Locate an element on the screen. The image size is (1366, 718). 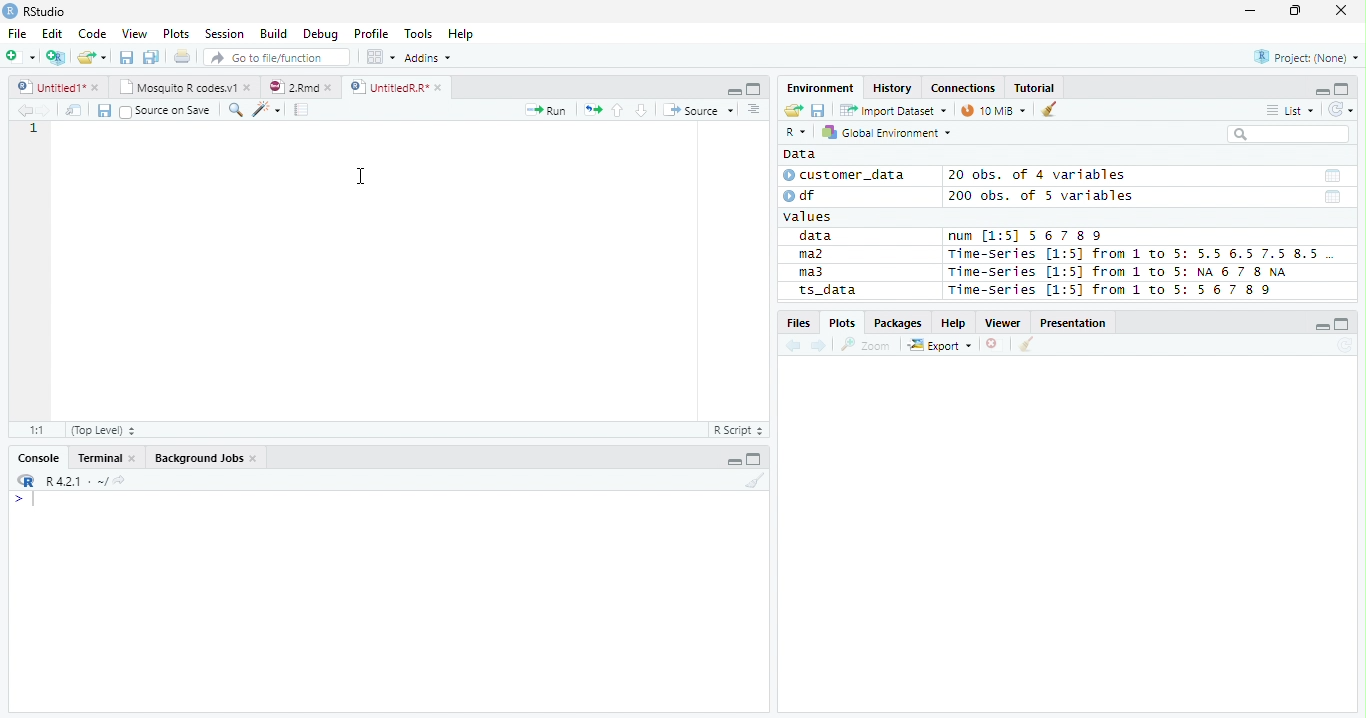
Clean is located at coordinates (755, 482).